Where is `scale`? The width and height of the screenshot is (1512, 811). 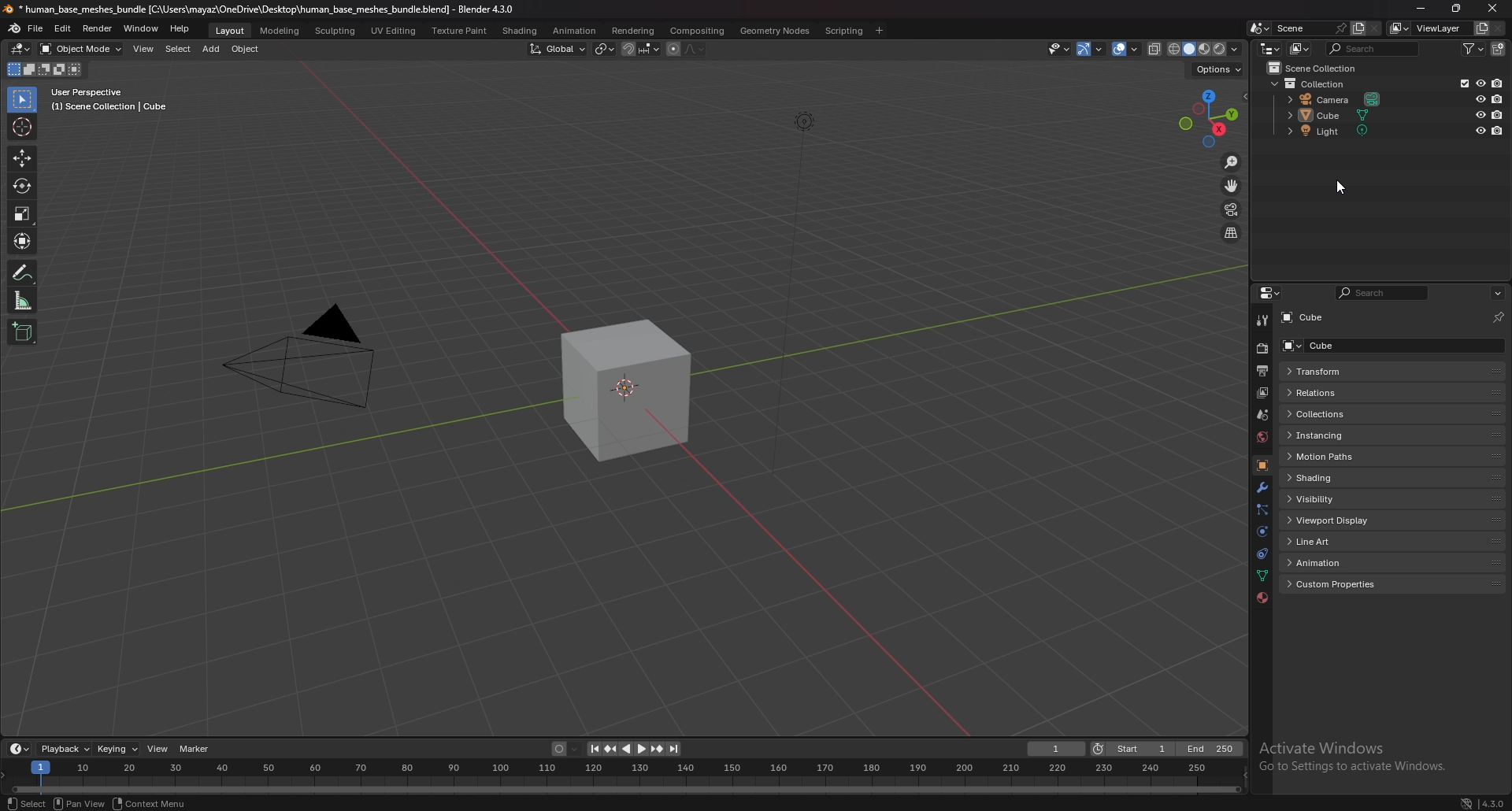 scale is located at coordinates (24, 214).